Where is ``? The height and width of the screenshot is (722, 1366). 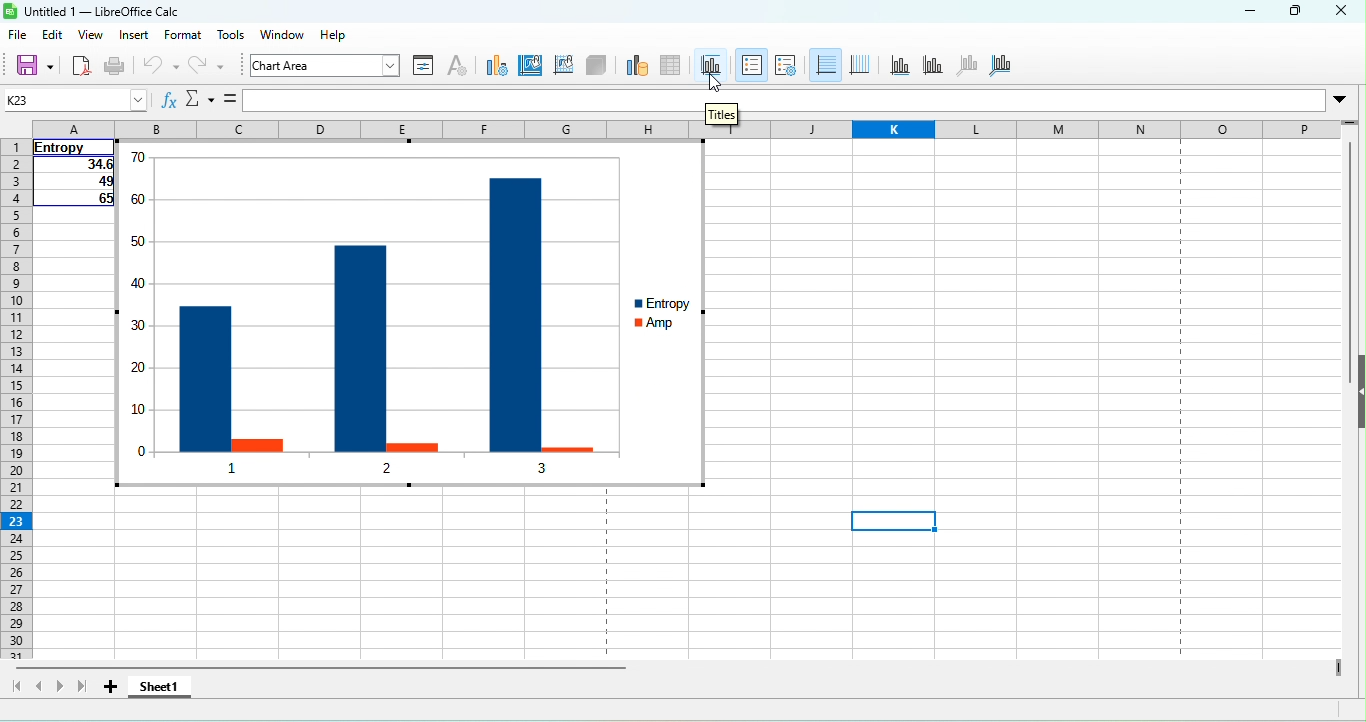
 is located at coordinates (664, 342).